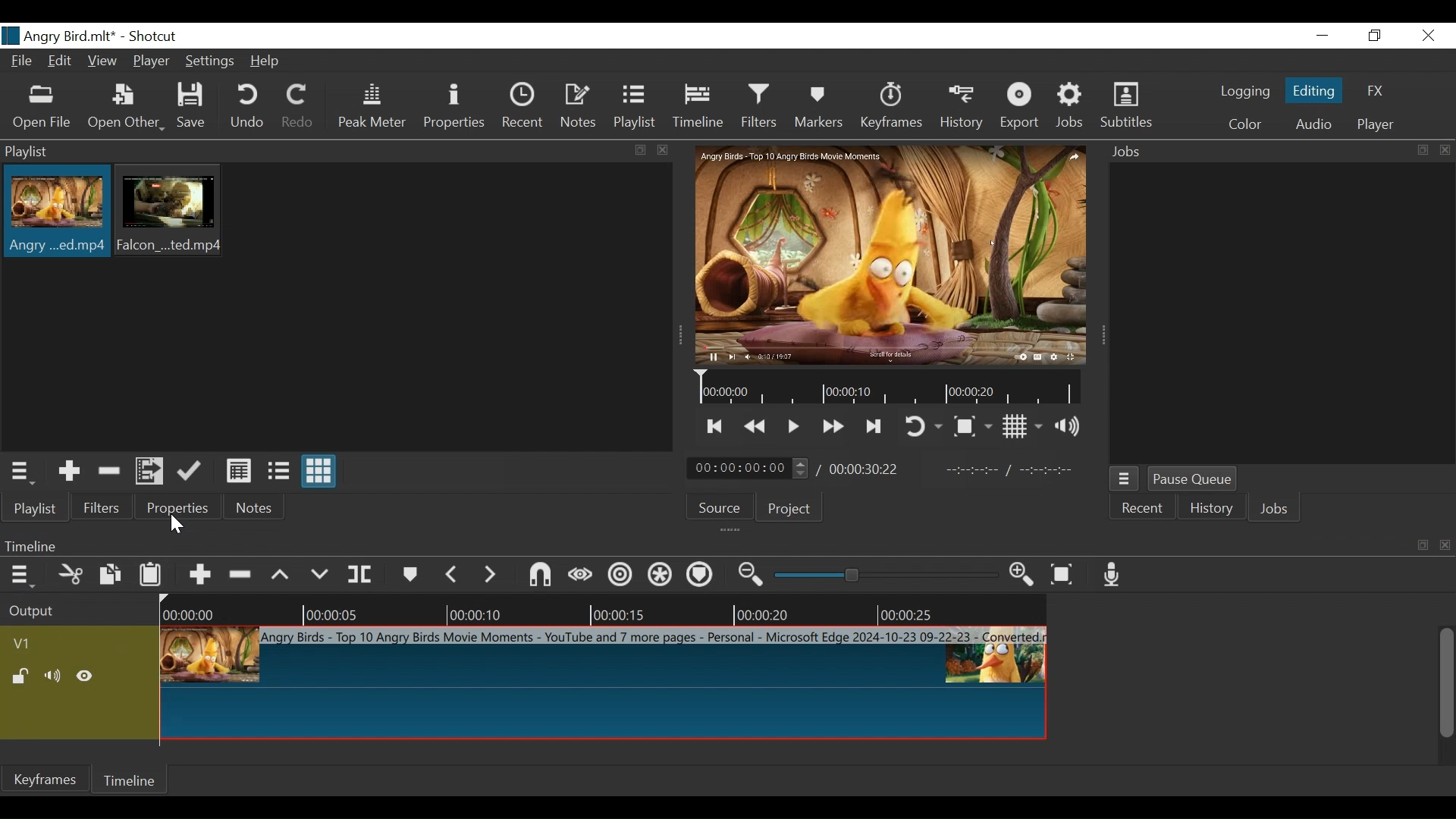 The height and width of the screenshot is (819, 1456). Describe the element at coordinates (269, 61) in the screenshot. I see `Help` at that location.